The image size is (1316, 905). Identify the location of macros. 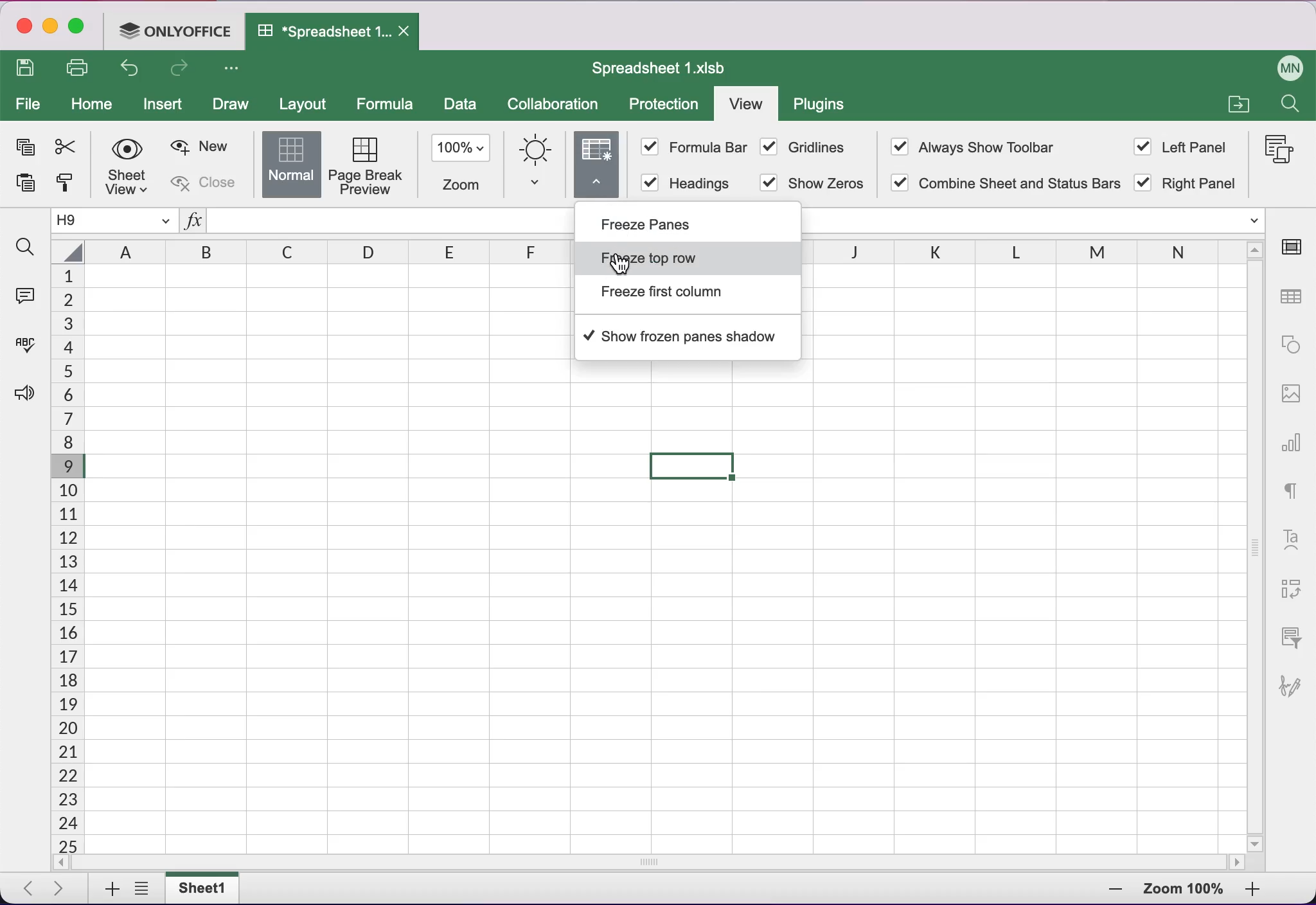
(1276, 151).